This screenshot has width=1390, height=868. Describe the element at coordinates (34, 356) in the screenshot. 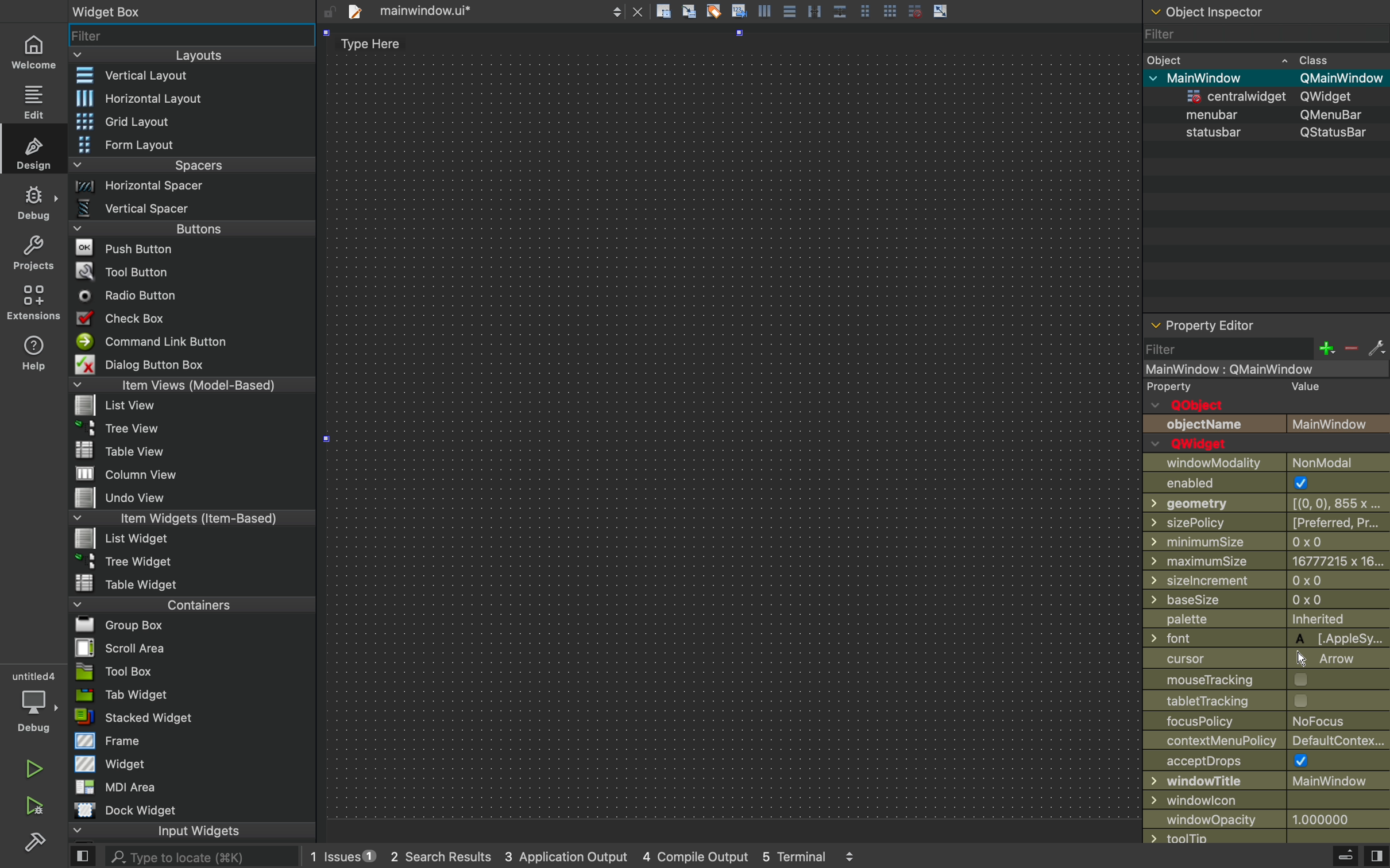

I see `help` at that location.